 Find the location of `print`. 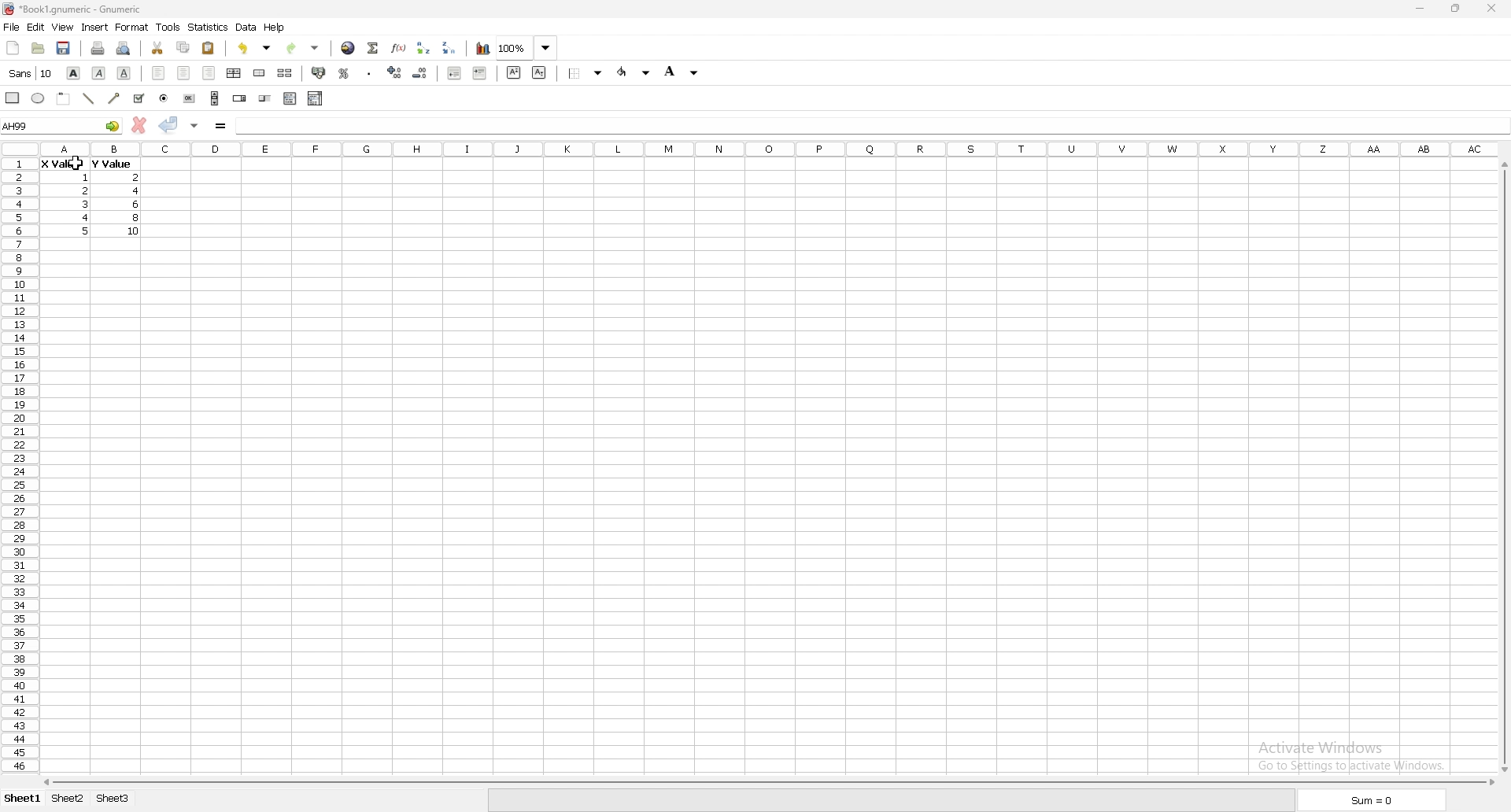

print is located at coordinates (98, 48).